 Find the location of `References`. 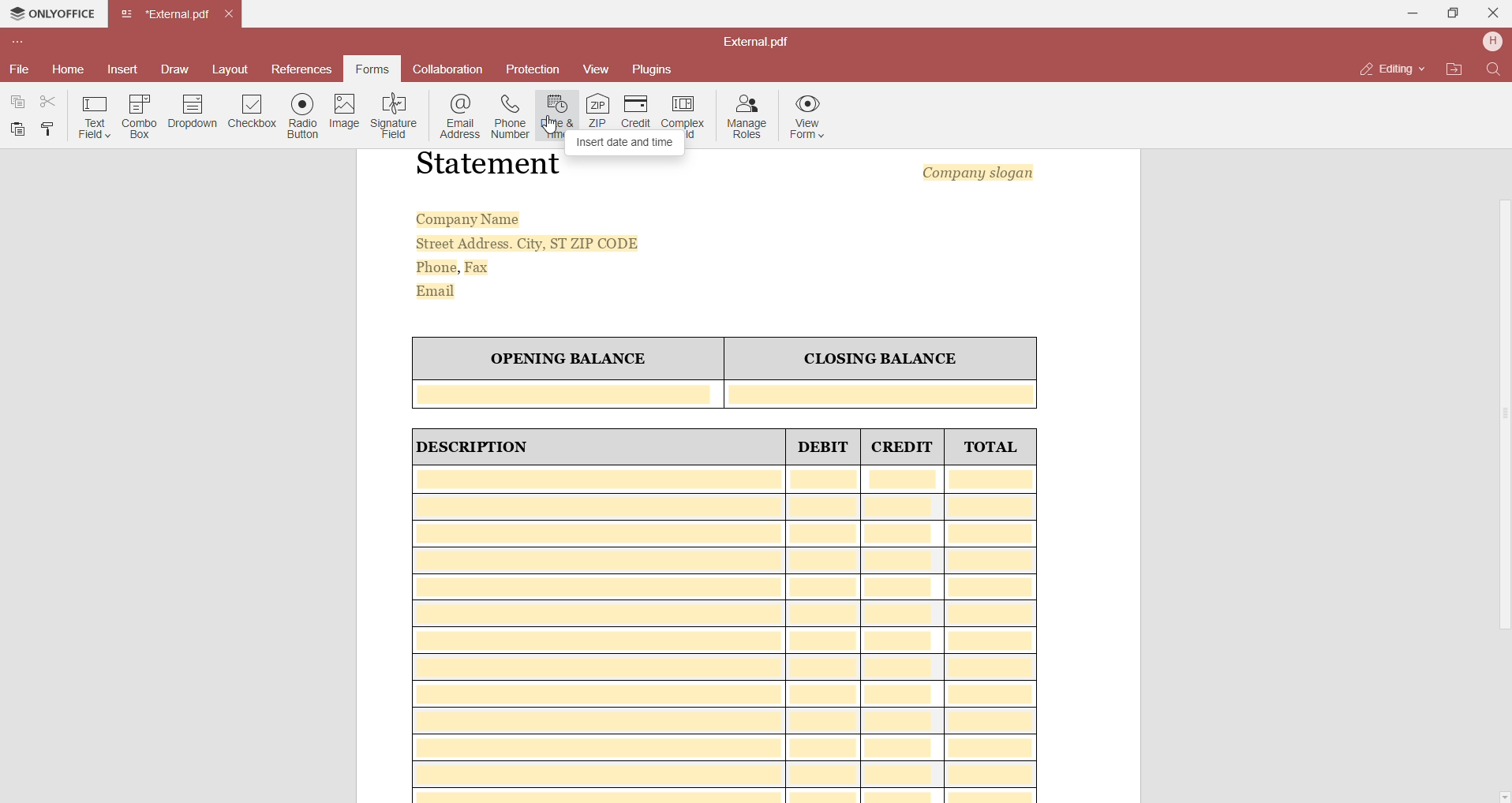

References is located at coordinates (304, 69).